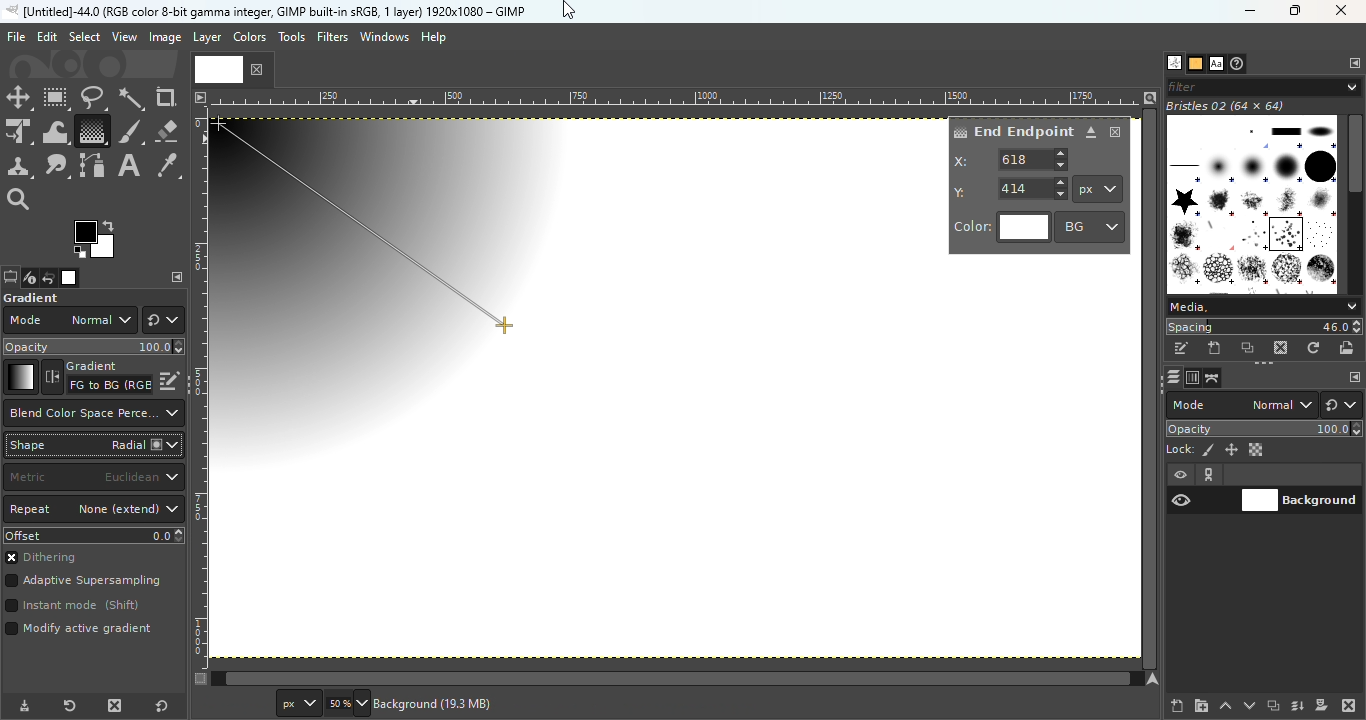 This screenshot has width=1366, height=720. I want to click on Open the device status dialog, so click(28, 279).